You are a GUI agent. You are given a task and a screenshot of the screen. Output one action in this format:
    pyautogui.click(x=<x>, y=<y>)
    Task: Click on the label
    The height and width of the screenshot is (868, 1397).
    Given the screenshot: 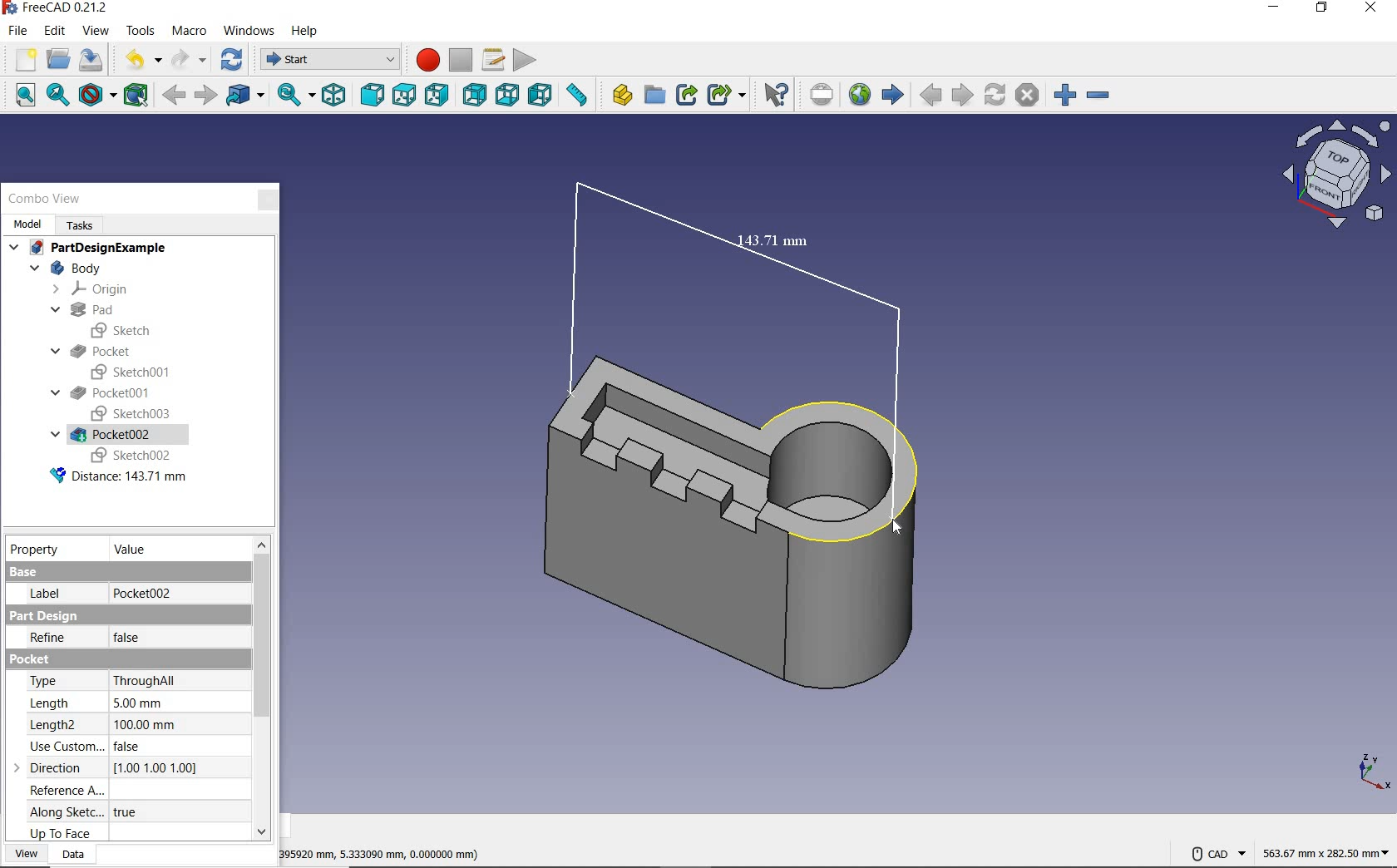 What is the action you would take?
    pyautogui.click(x=46, y=594)
    